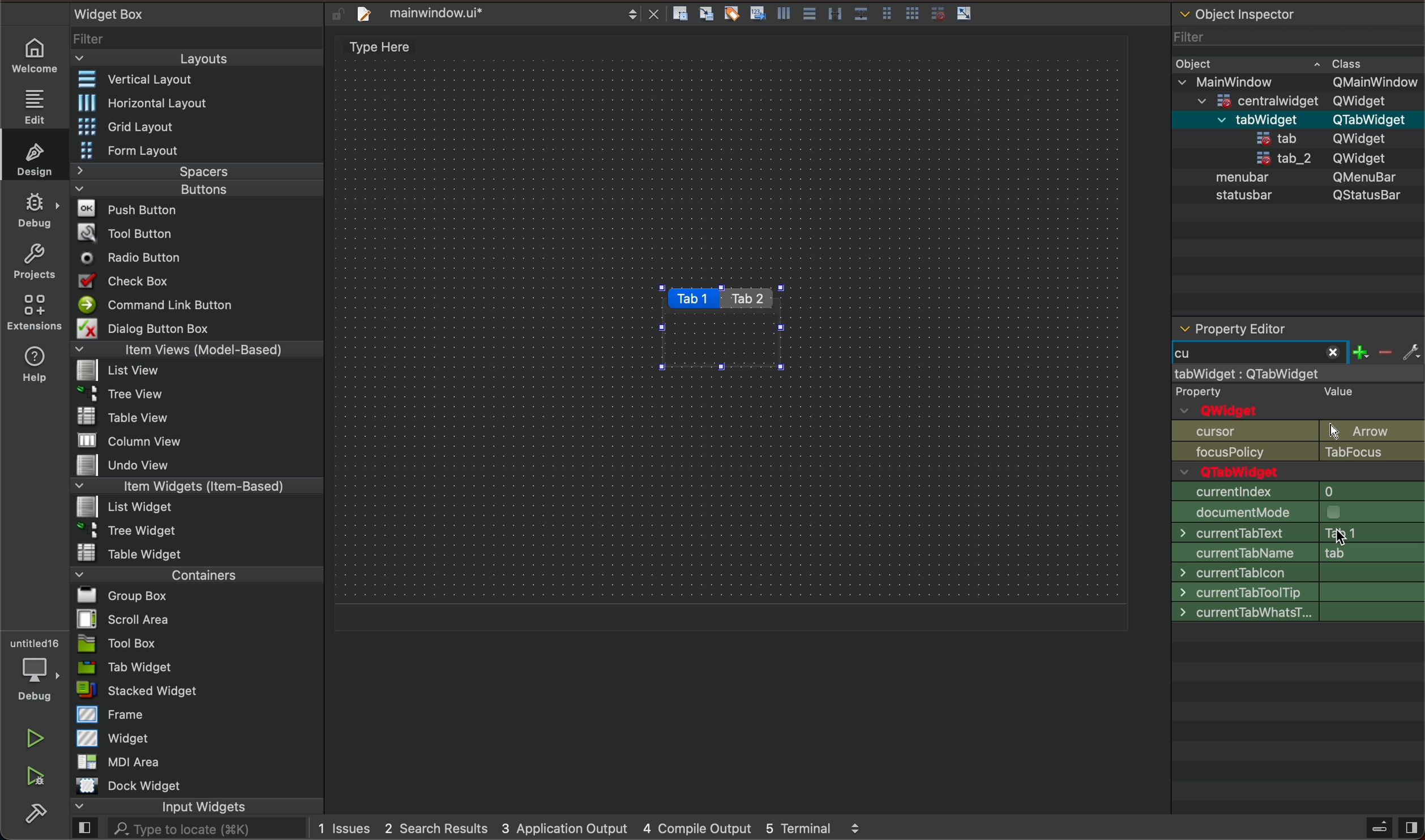  Describe the element at coordinates (1298, 735) in the screenshot. I see `context policy` at that location.